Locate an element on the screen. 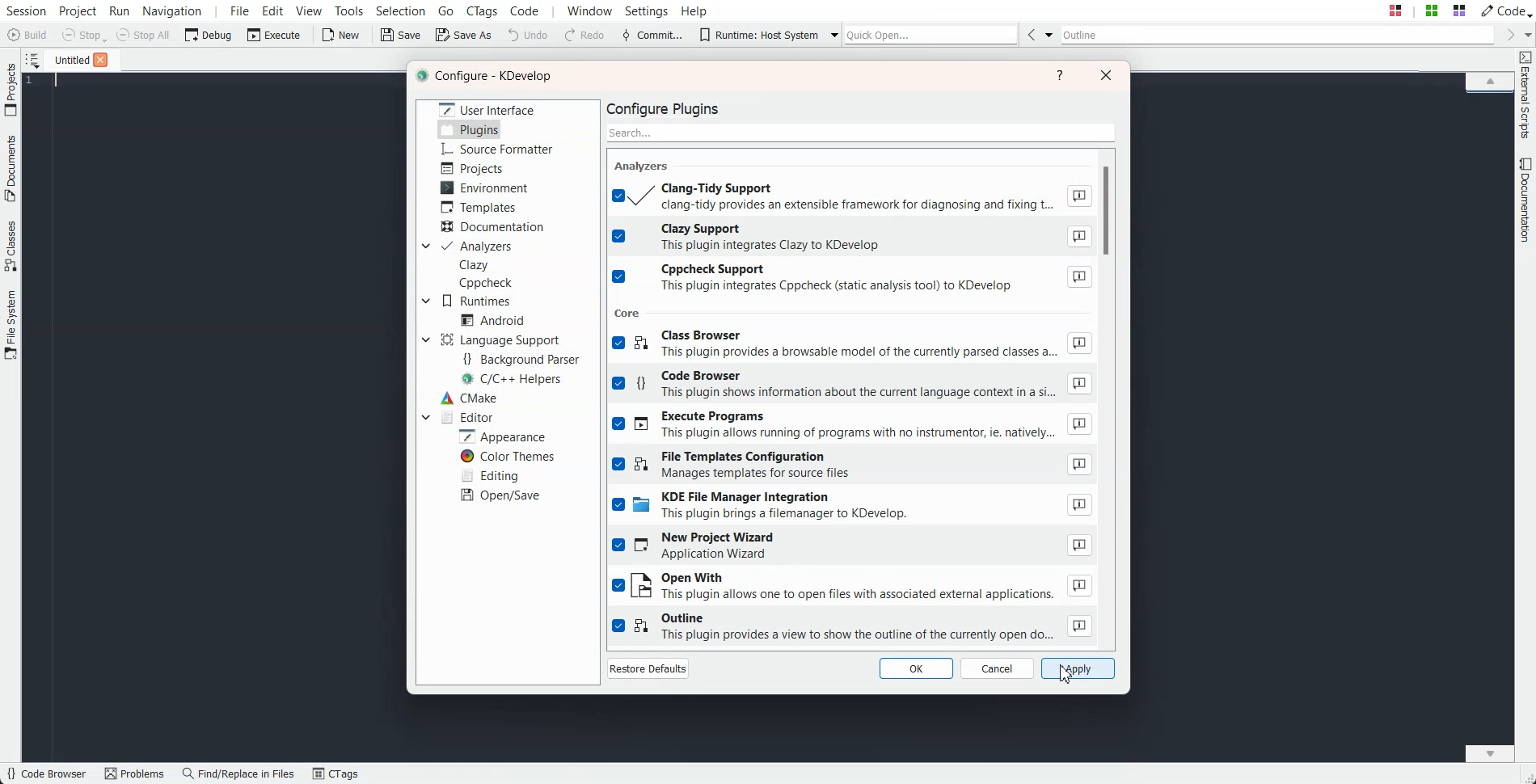 This screenshot has height=784, width=1536. Background Parser is located at coordinates (521, 358).